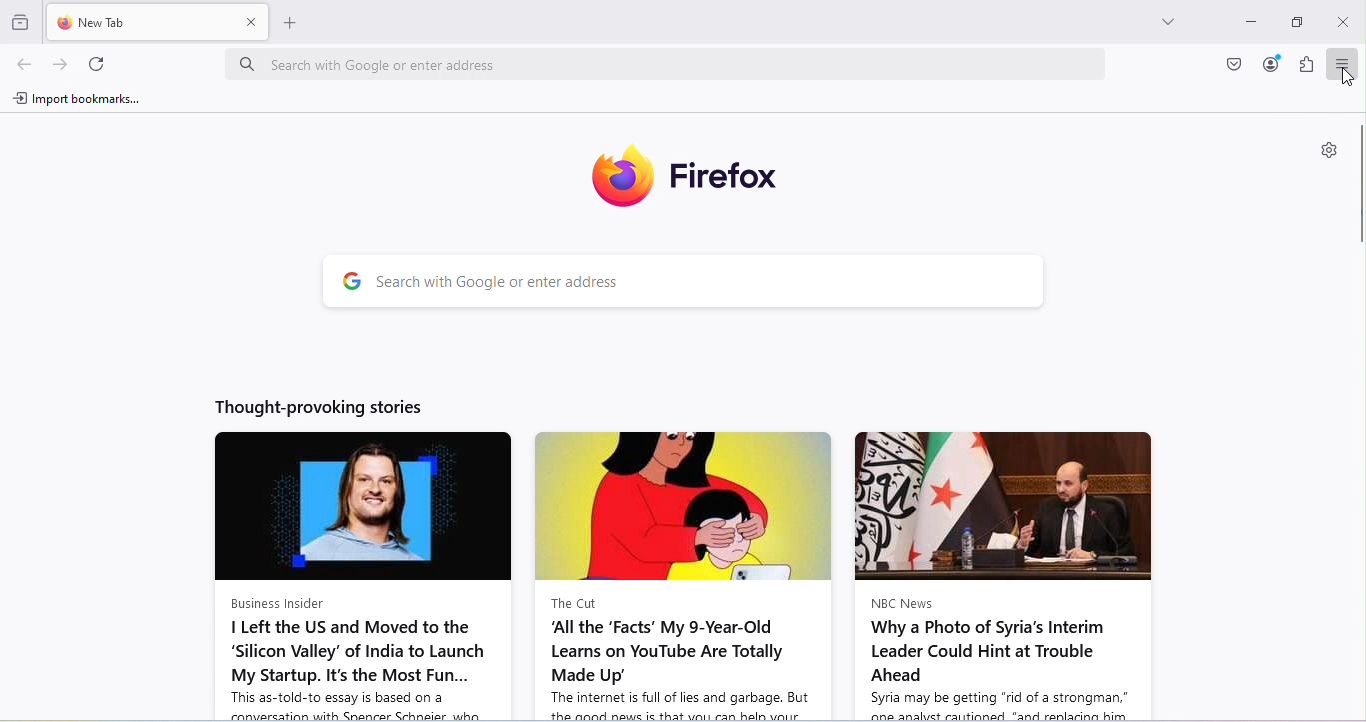 The image size is (1366, 722). Describe the element at coordinates (142, 21) in the screenshot. I see `New tab` at that location.